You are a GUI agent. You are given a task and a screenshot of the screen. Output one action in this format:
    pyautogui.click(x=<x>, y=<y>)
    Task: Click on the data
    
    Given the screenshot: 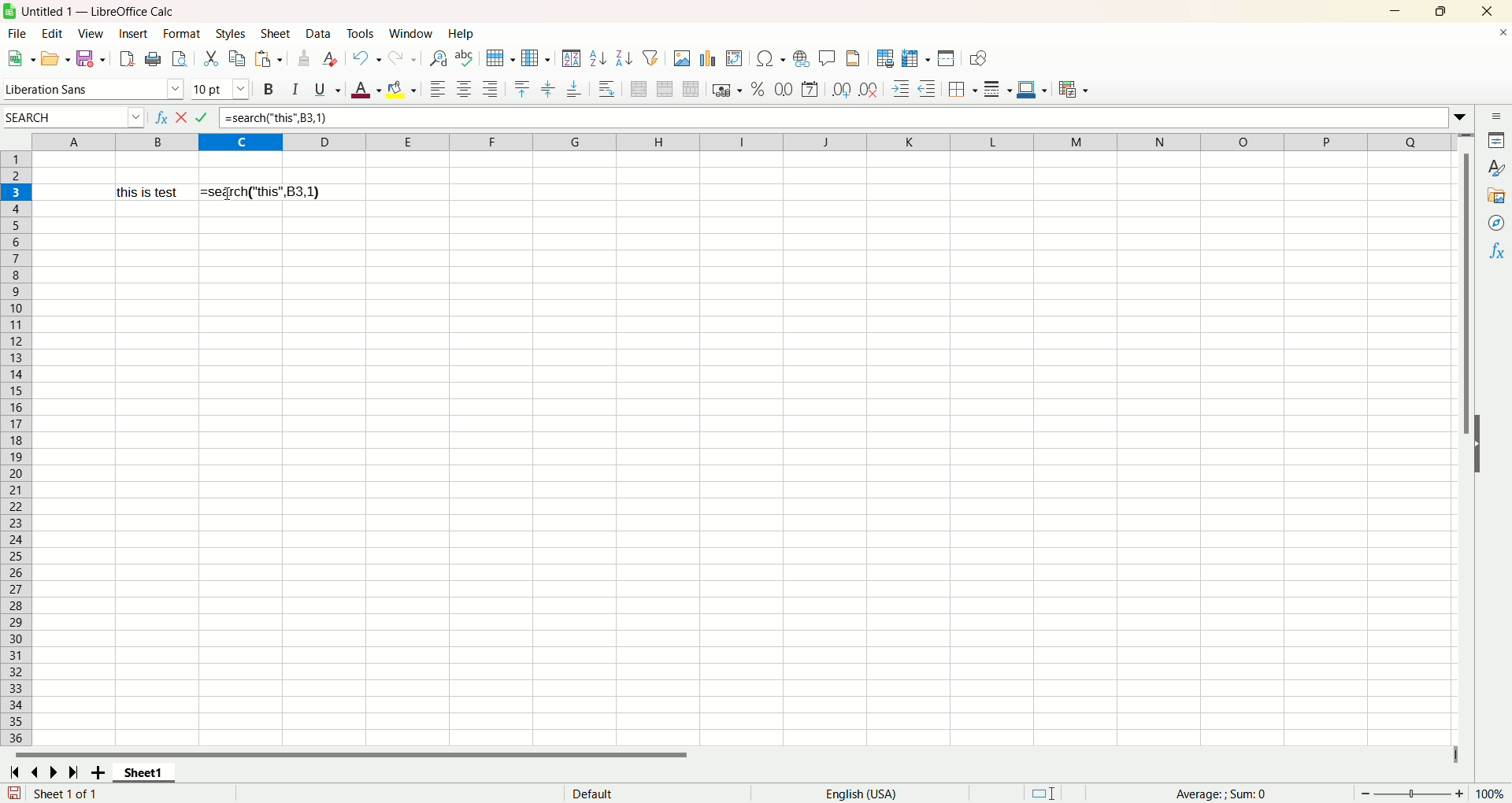 What is the action you would take?
    pyautogui.click(x=320, y=33)
    